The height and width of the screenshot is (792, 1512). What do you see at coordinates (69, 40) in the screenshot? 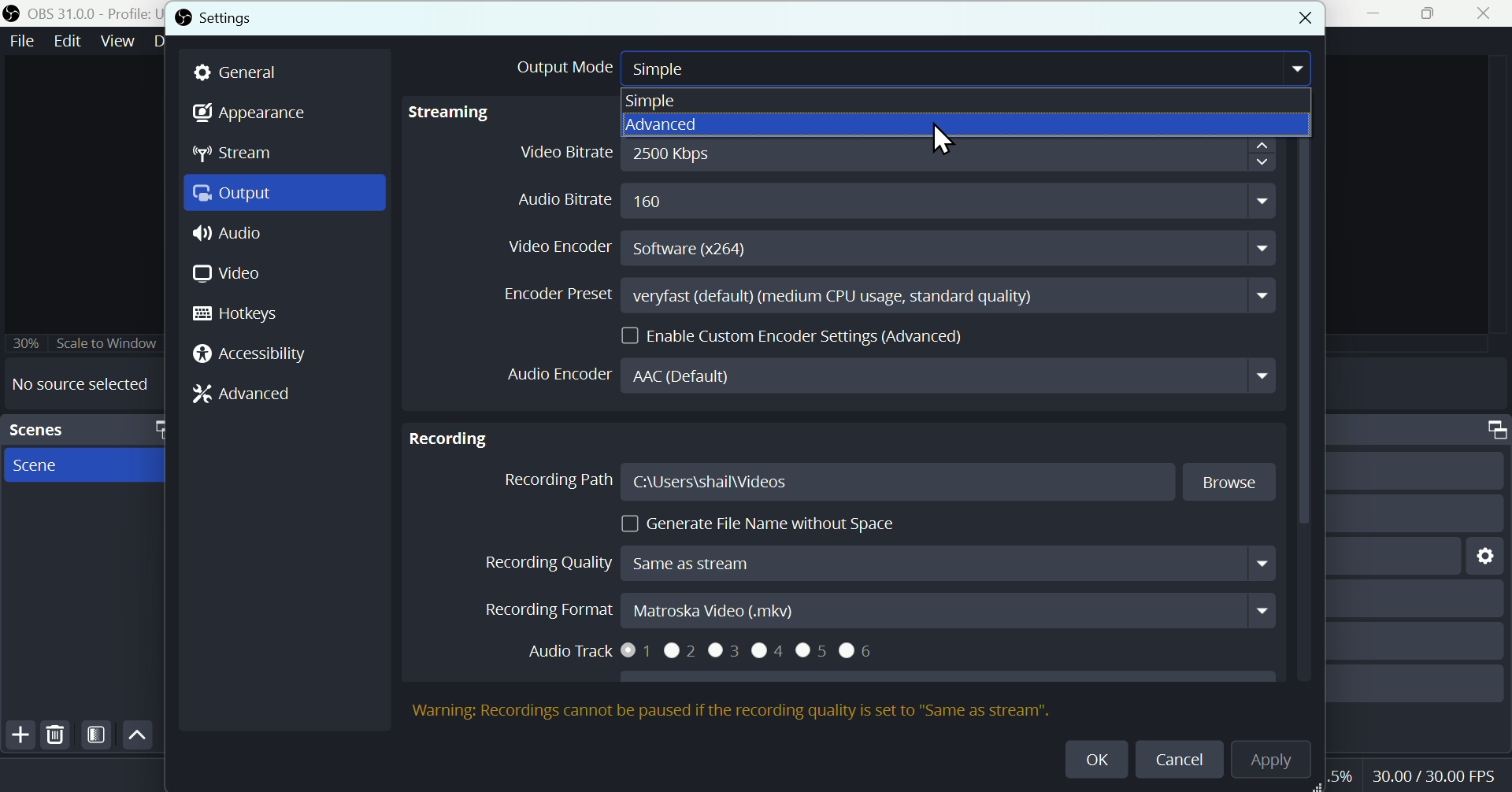
I see `Edit` at bounding box center [69, 40].